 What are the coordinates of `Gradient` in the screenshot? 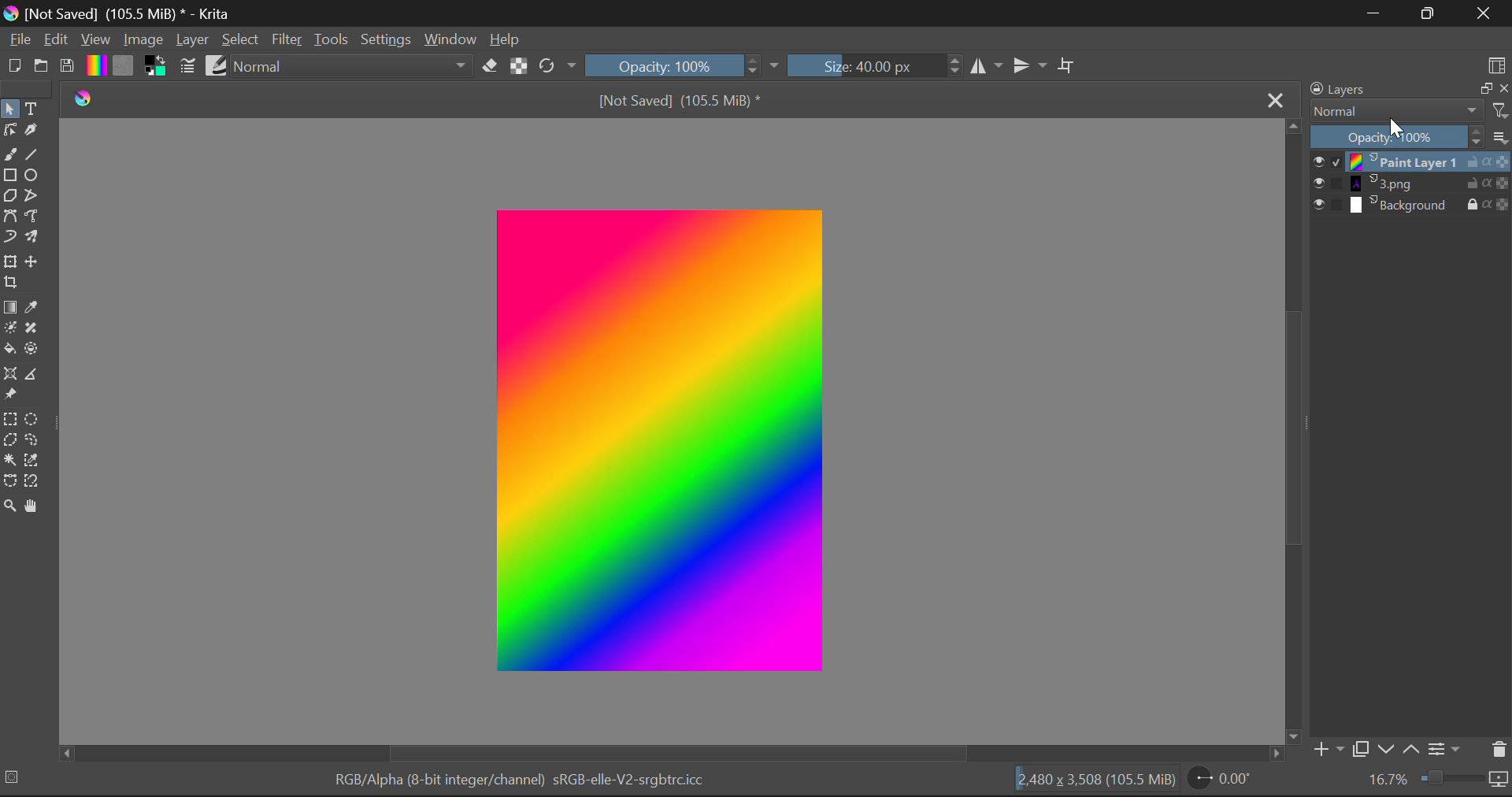 It's located at (96, 66).